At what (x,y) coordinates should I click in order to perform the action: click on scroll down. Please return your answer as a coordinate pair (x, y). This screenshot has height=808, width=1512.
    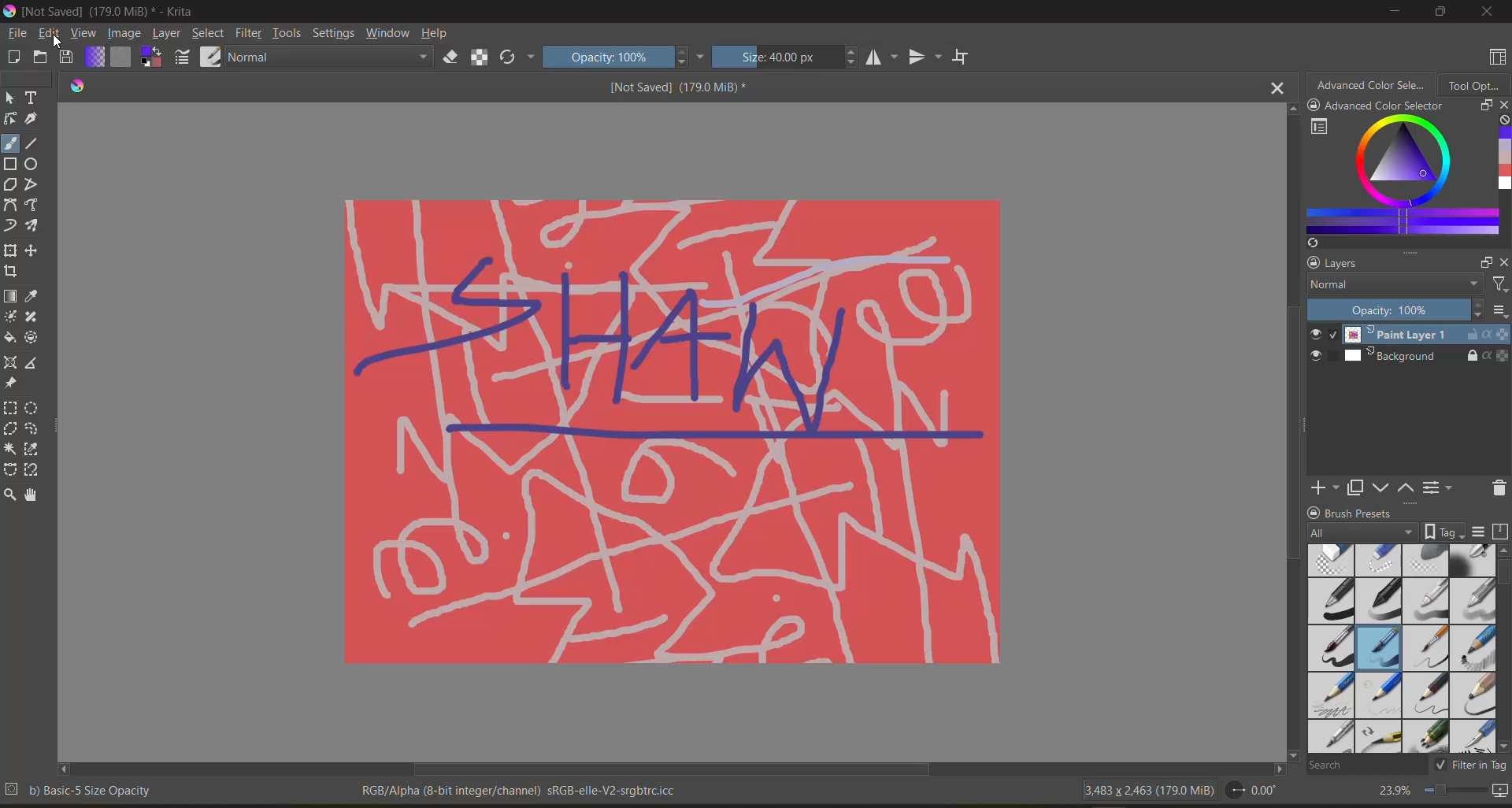
    Looking at the image, I should click on (1294, 755).